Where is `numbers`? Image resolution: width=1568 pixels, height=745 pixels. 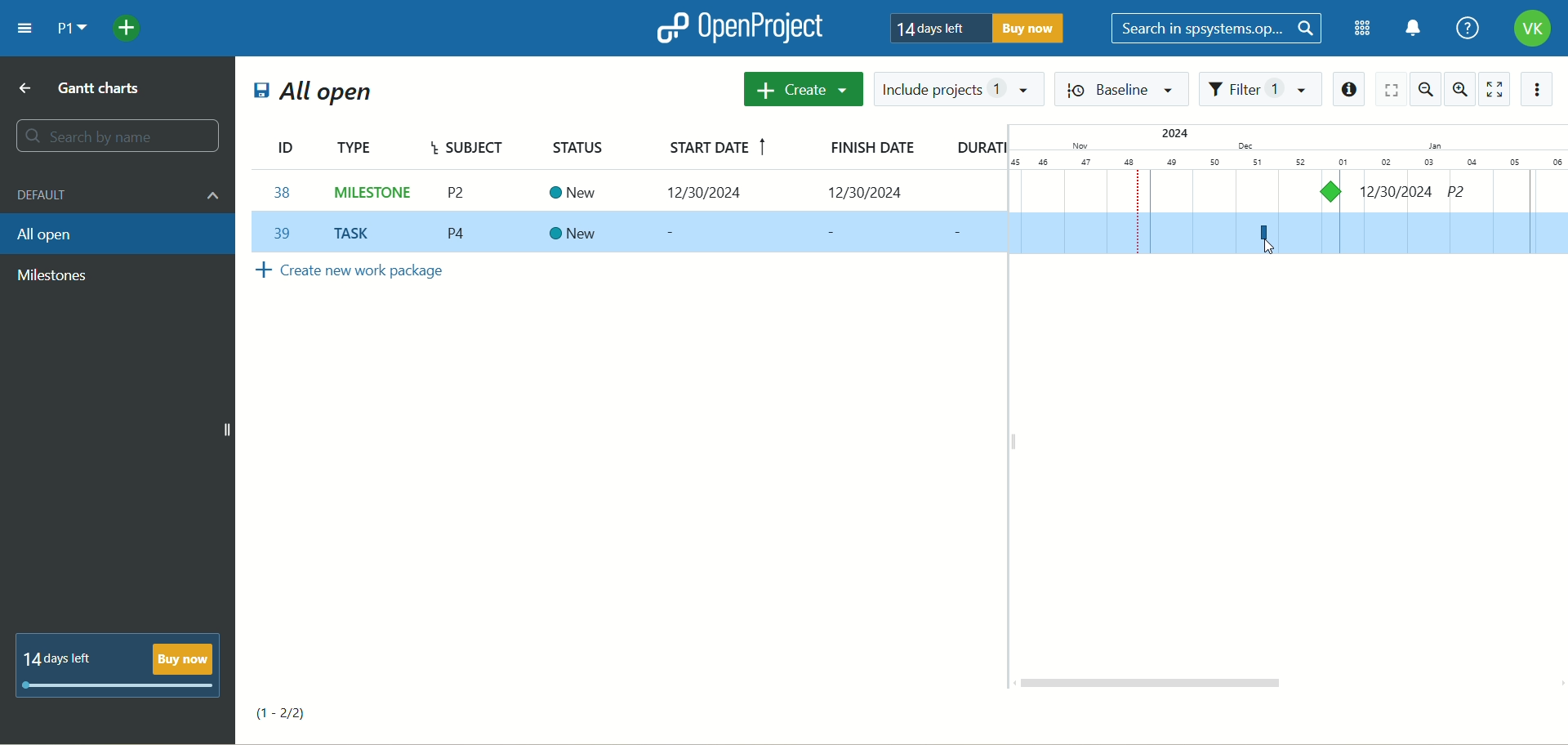 numbers is located at coordinates (1289, 159).